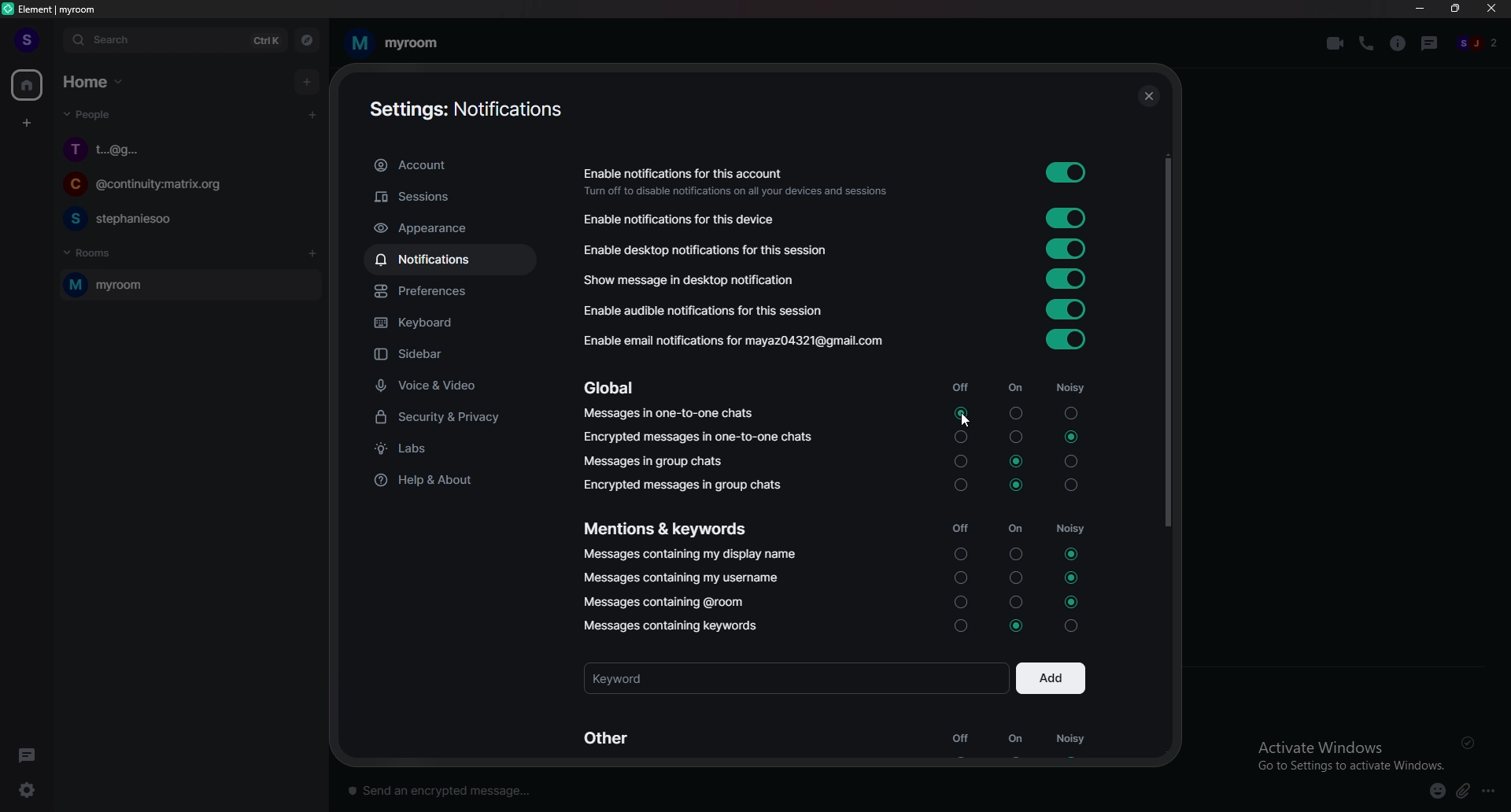 The width and height of the screenshot is (1511, 812). Describe the element at coordinates (456, 229) in the screenshot. I see `appearance` at that location.